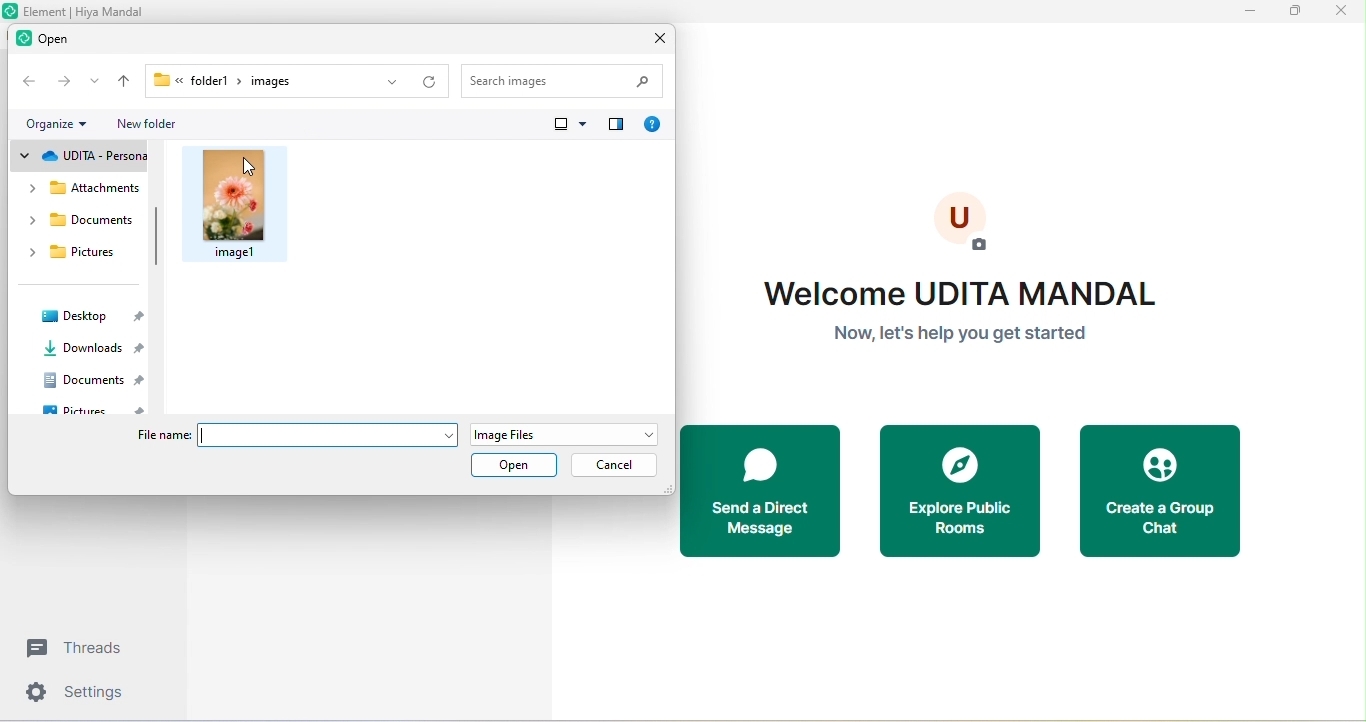  I want to click on image files, so click(559, 434).